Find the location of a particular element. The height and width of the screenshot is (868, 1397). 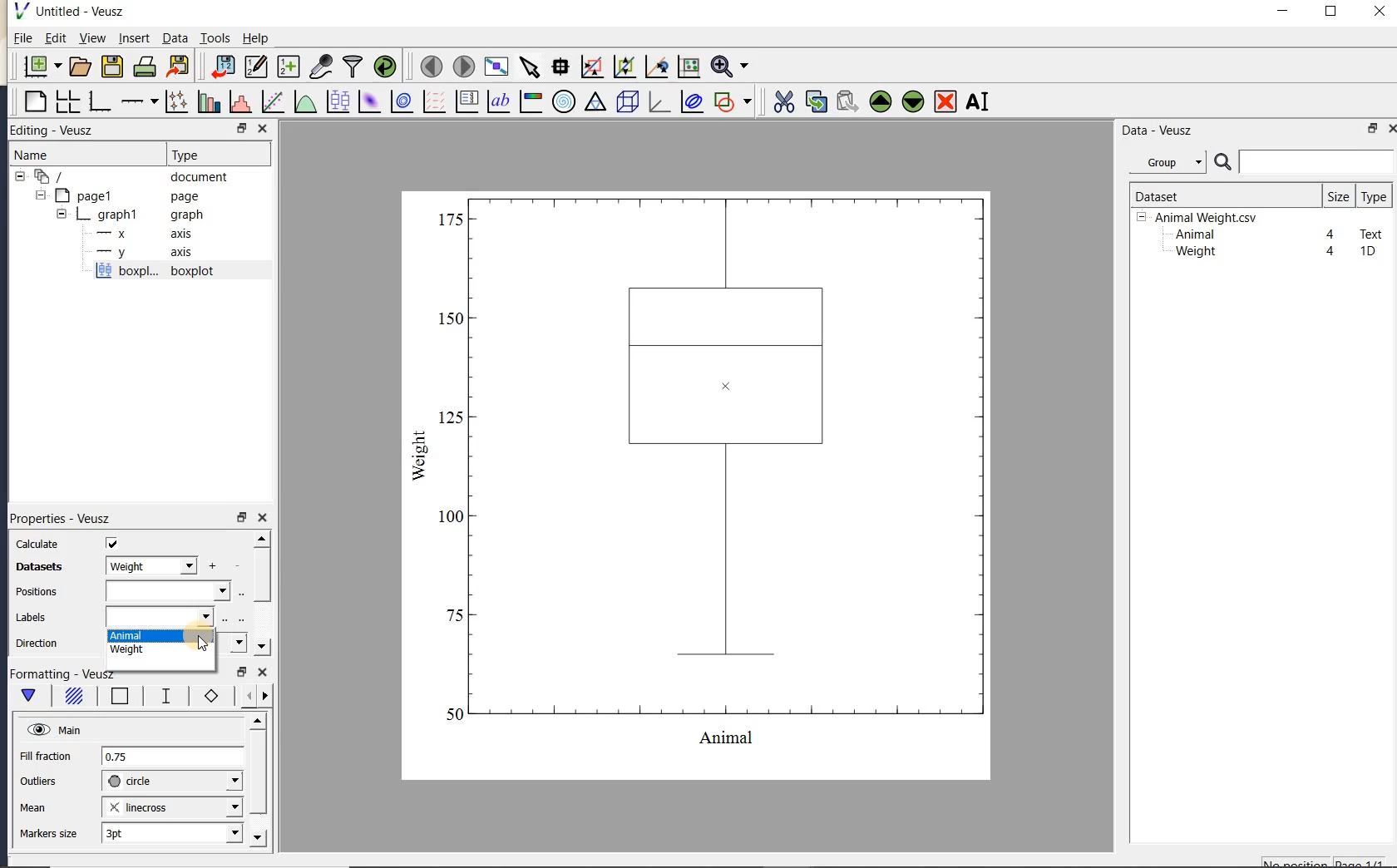

move to the next page is located at coordinates (462, 65).